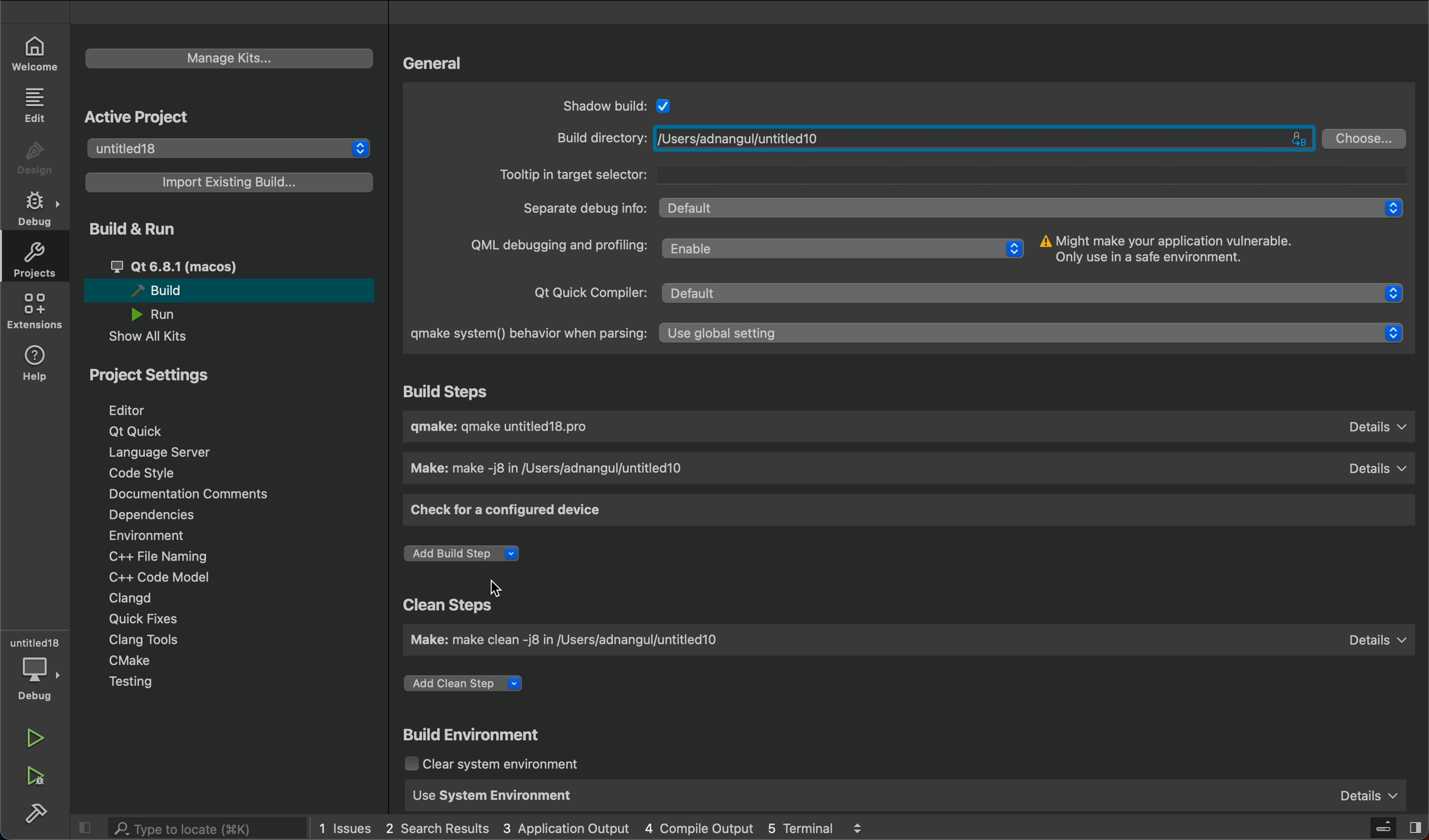 The height and width of the screenshot is (840, 1429). I want to click on run debug, so click(32, 775).